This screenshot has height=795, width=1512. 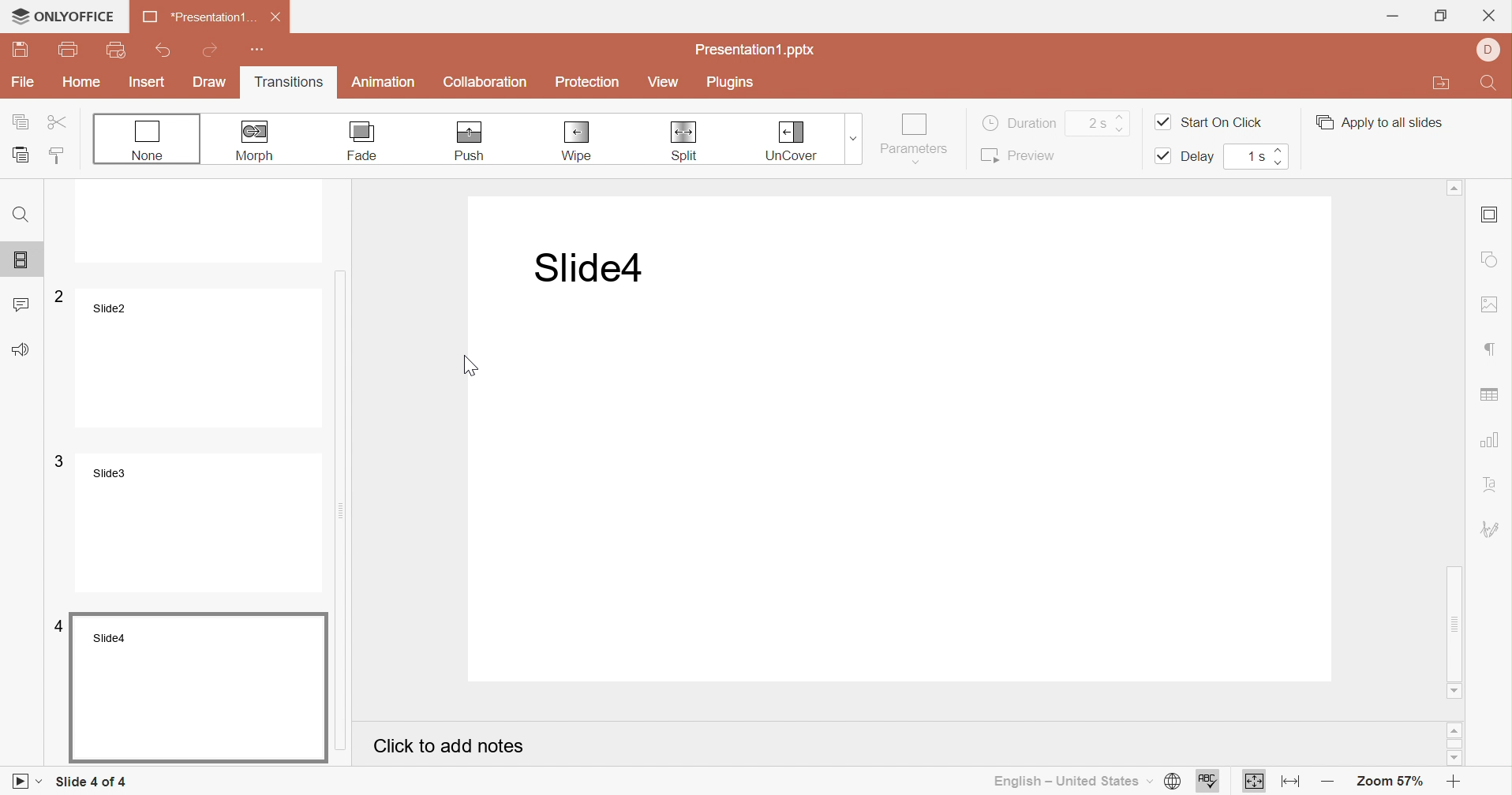 What do you see at coordinates (199, 17) in the screenshot?
I see `*Presentation1 ...` at bounding box center [199, 17].